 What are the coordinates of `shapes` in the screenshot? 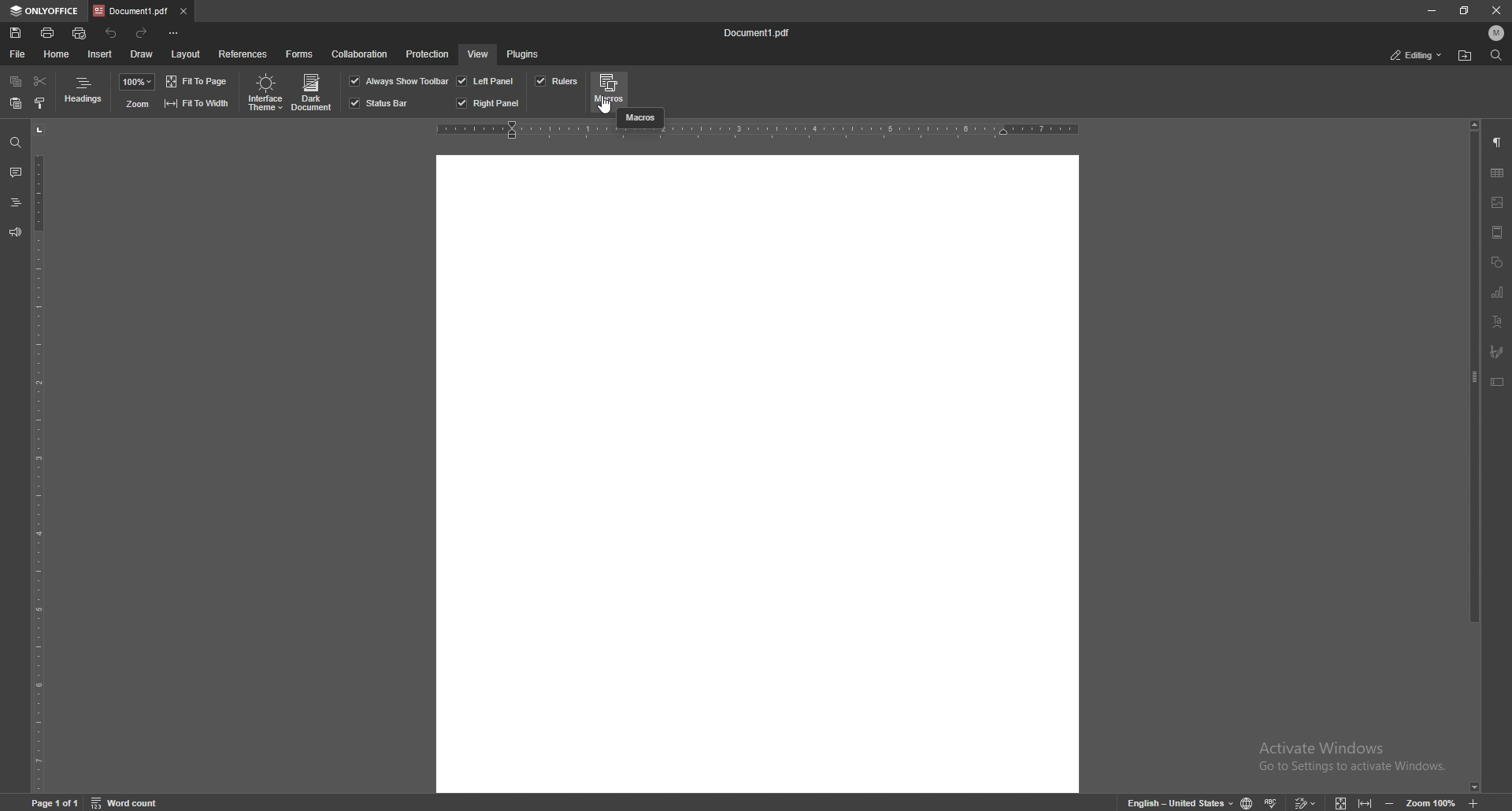 It's located at (1497, 261).